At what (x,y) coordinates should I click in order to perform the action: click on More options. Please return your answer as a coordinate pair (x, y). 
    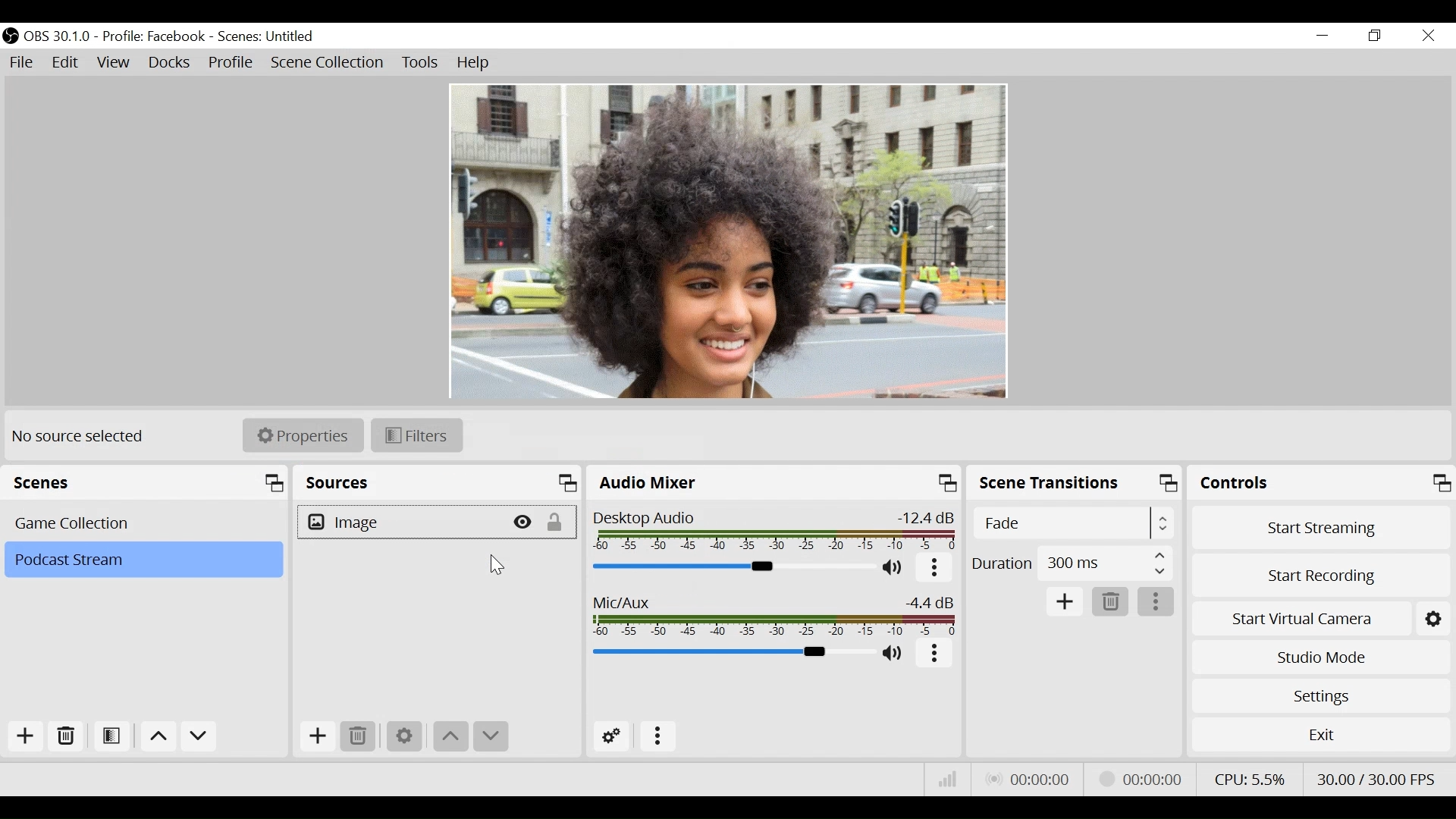
    Looking at the image, I should click on (1156, 601).